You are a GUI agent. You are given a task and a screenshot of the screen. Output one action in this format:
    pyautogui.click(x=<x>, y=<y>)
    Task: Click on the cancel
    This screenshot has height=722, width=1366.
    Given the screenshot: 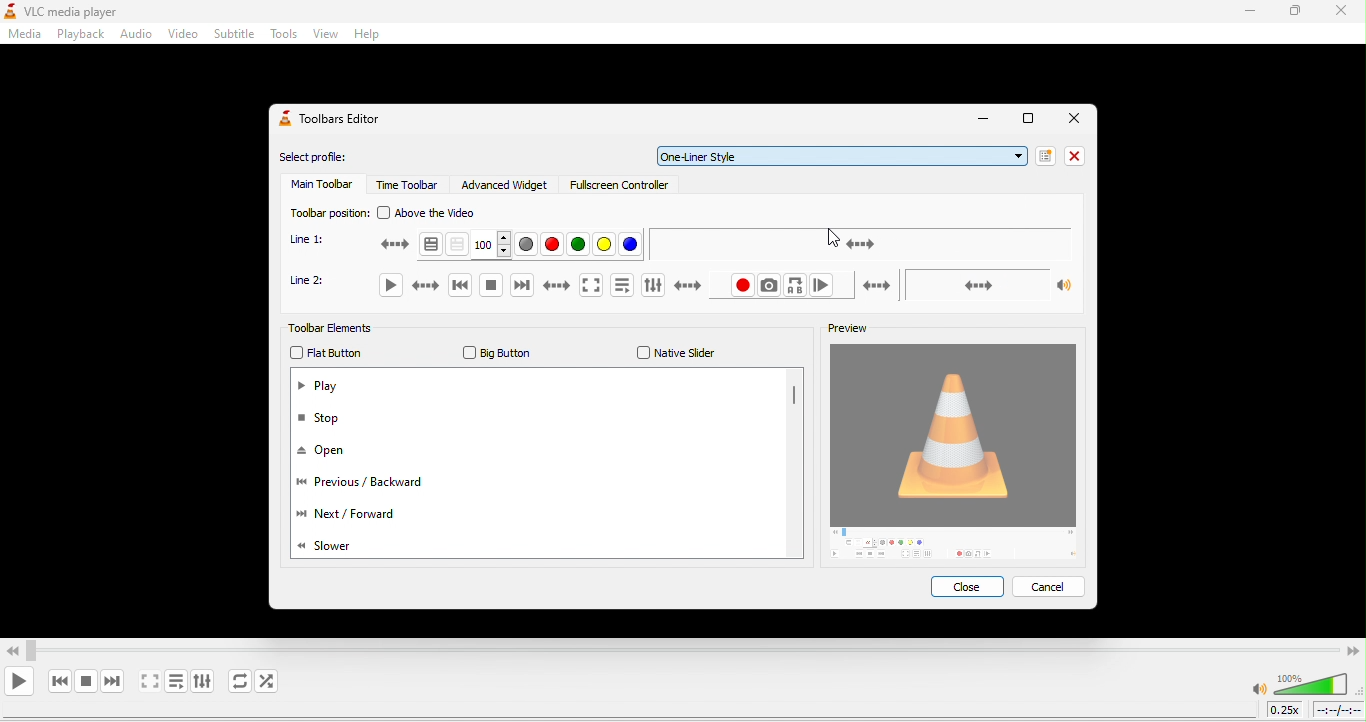 What is the action you would take?
    pyautogui.click(x=1053, y=586)
    